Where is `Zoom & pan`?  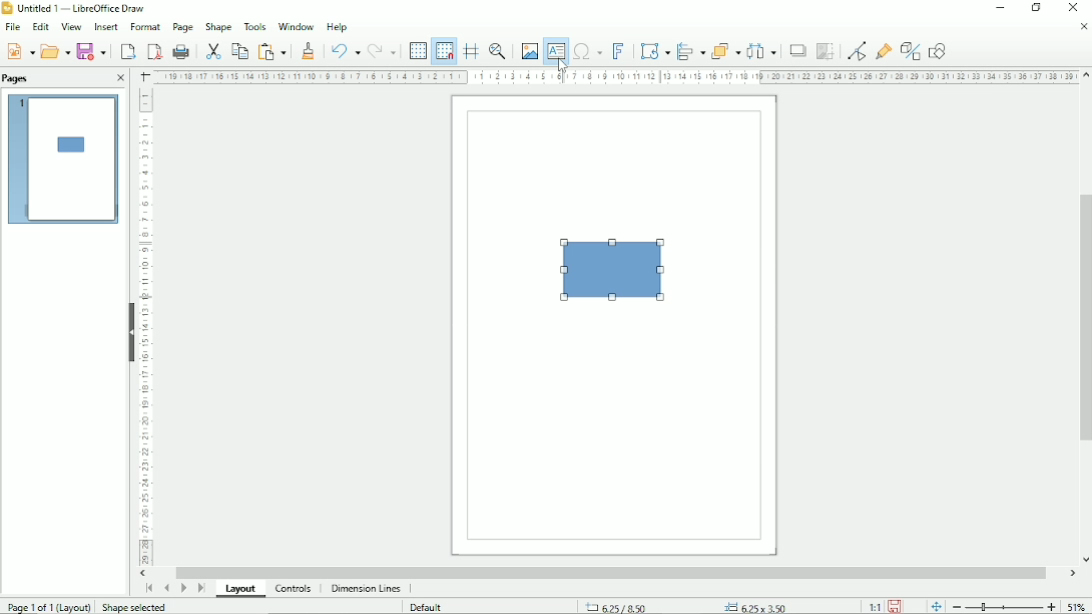
Zoom & pan is located at coordinates (499, 49).